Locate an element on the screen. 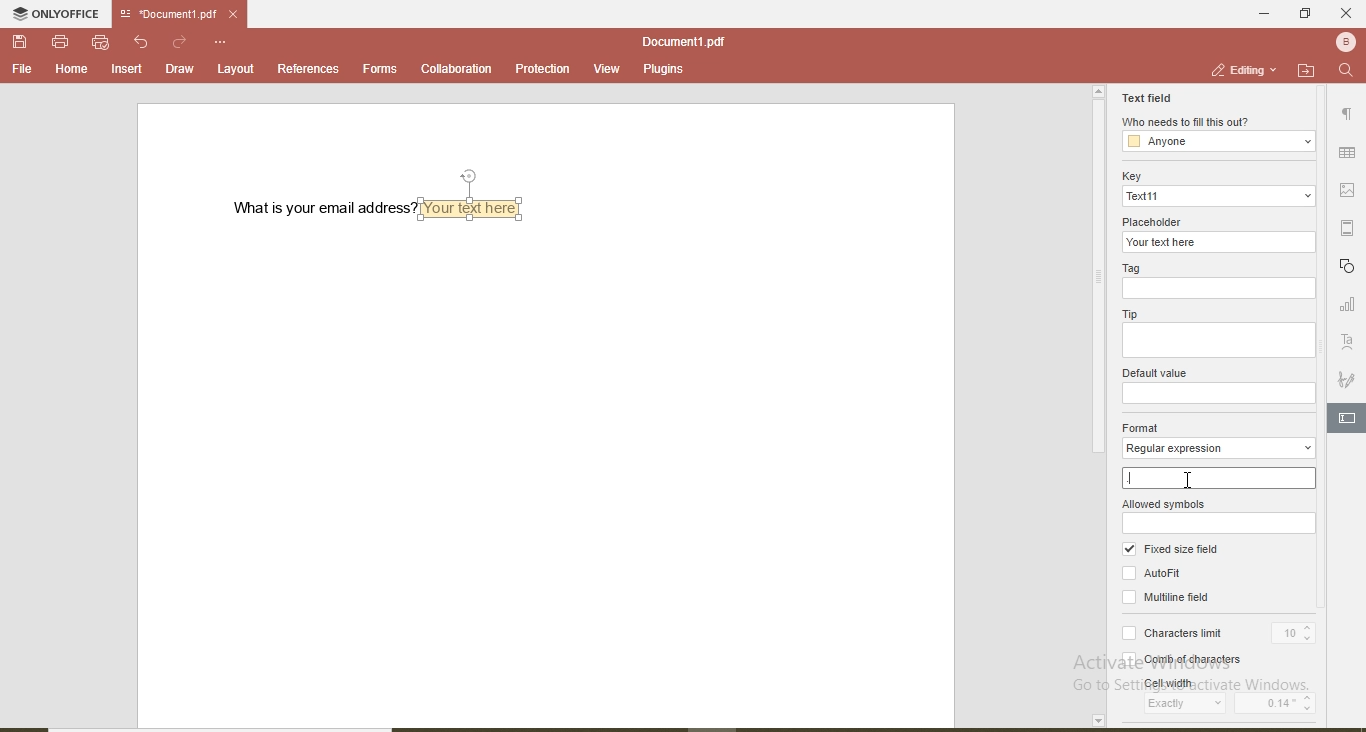  minimise is located at coordinates (1258, 12).